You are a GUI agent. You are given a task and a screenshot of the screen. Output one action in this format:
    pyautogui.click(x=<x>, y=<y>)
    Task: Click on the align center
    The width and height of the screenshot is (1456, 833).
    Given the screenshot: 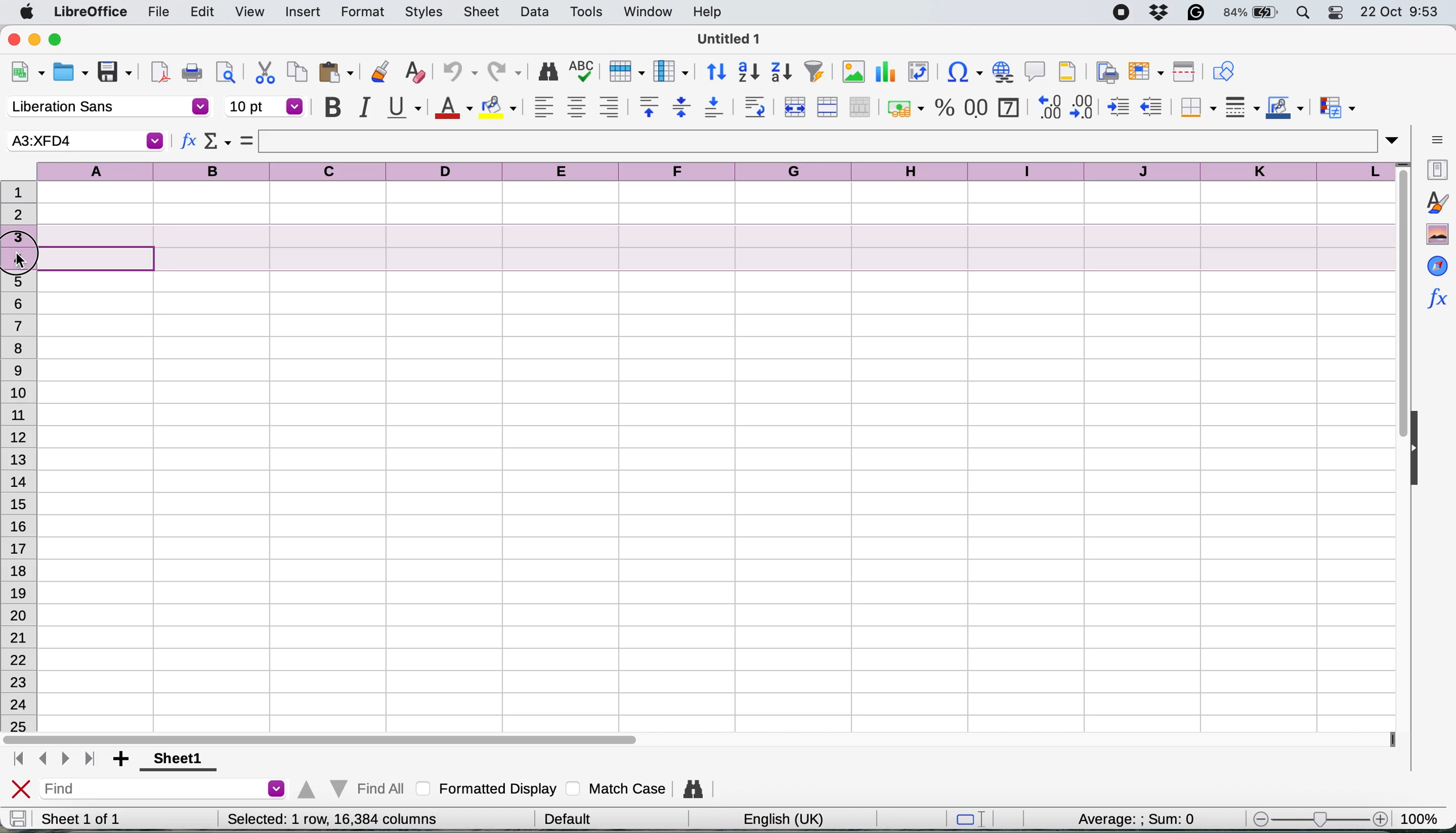 What is the action you would take?
    pyautogui.click(x=576, y=108)
    